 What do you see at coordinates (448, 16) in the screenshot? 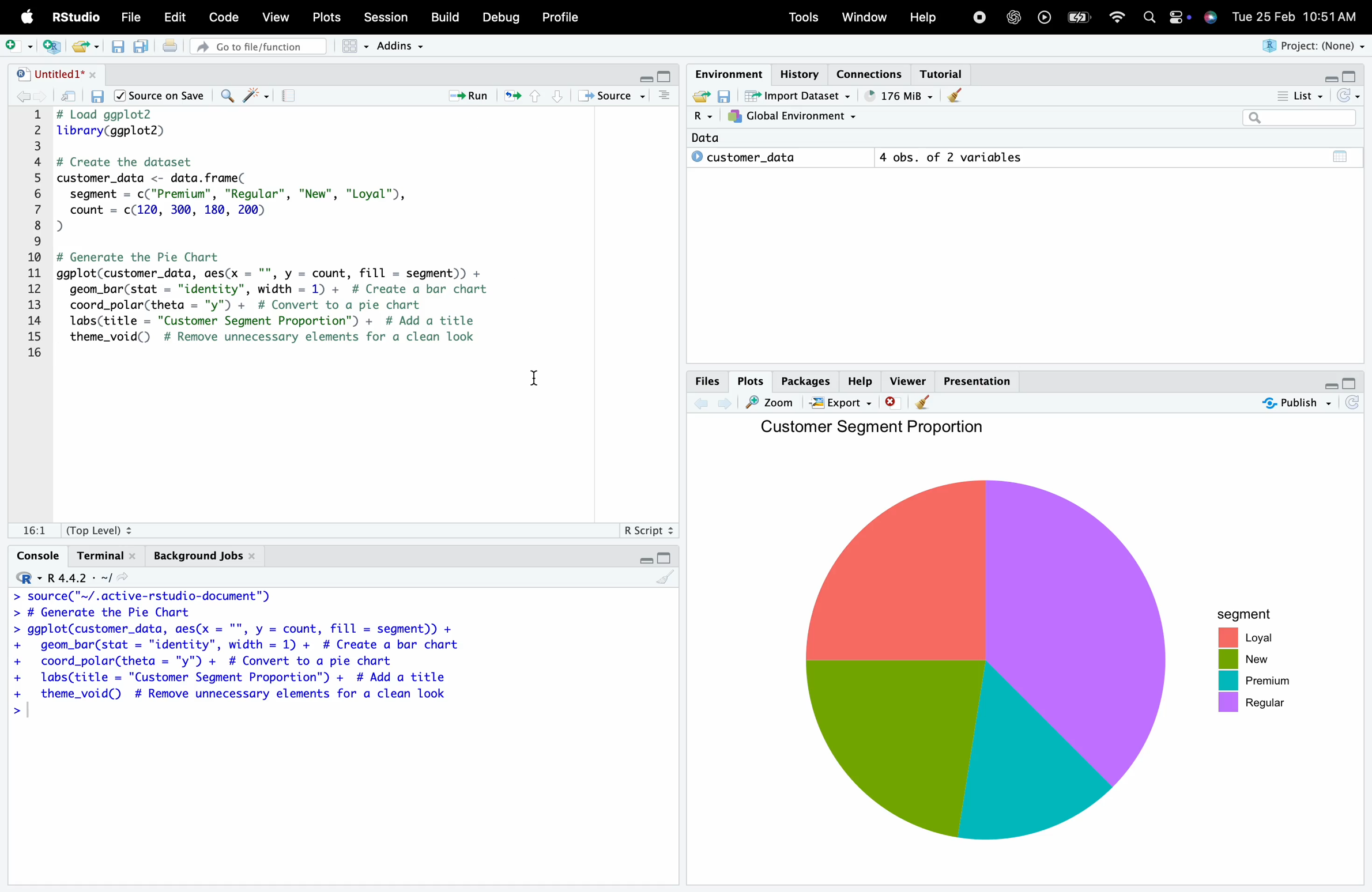
I see `Build` at bounding box center [448, 16].